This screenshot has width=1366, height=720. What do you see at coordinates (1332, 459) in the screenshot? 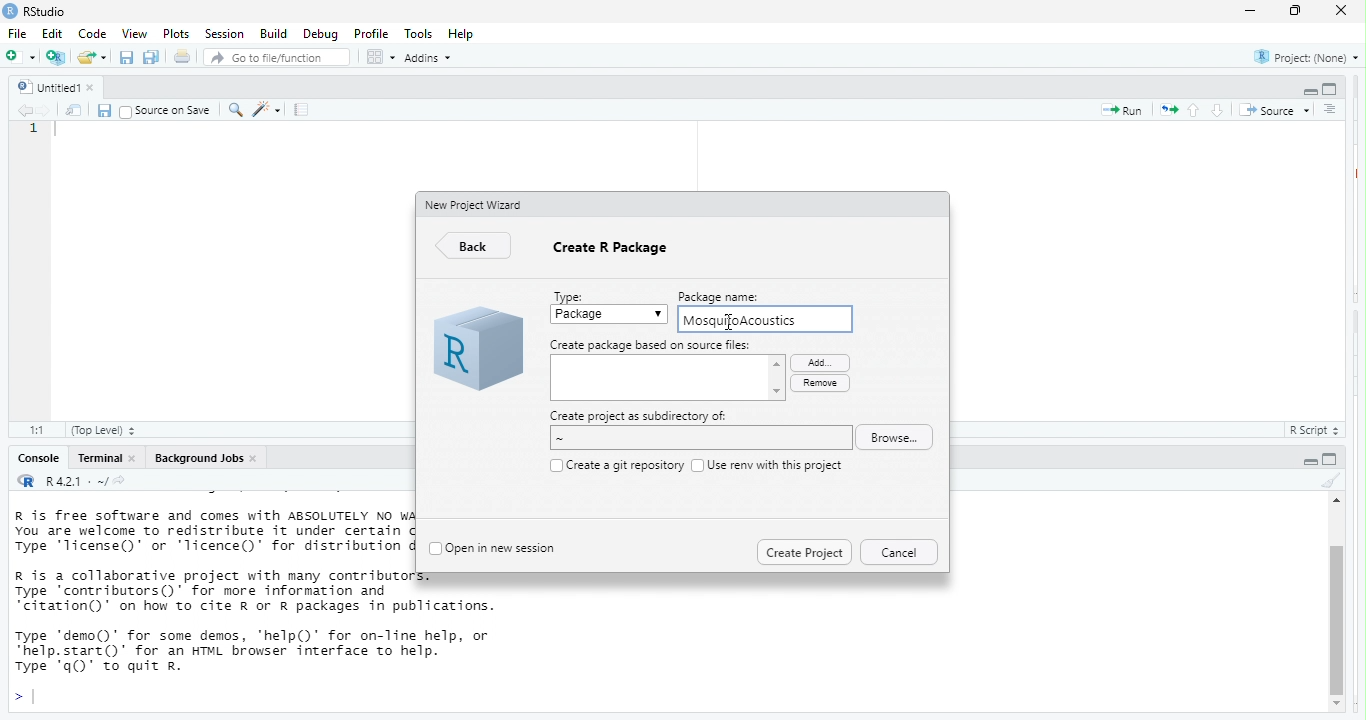
I see `hide console` at bounding box center [1332, 459].